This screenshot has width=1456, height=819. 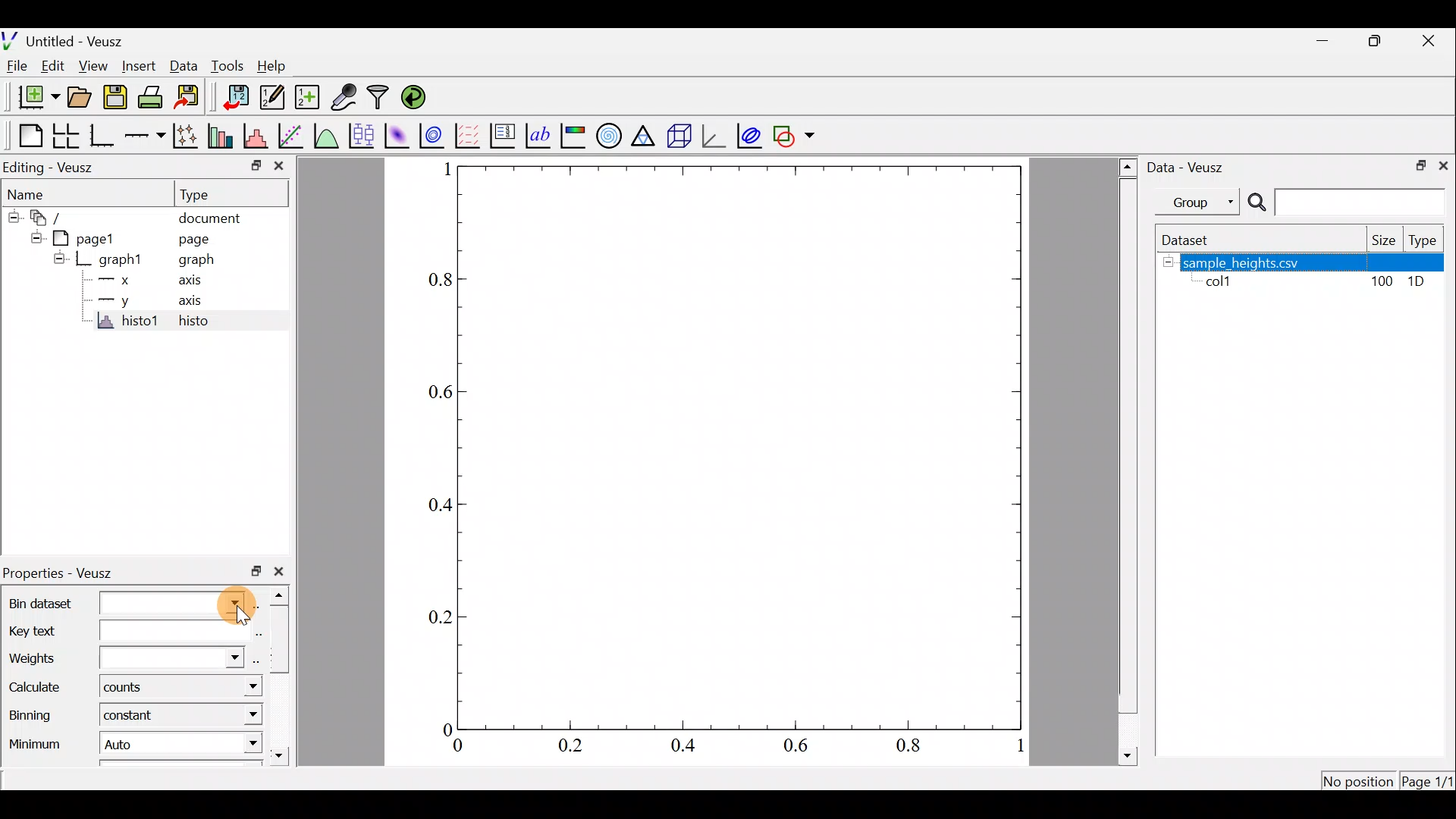 I want to click on 0.8, so click(x=437, y=284).